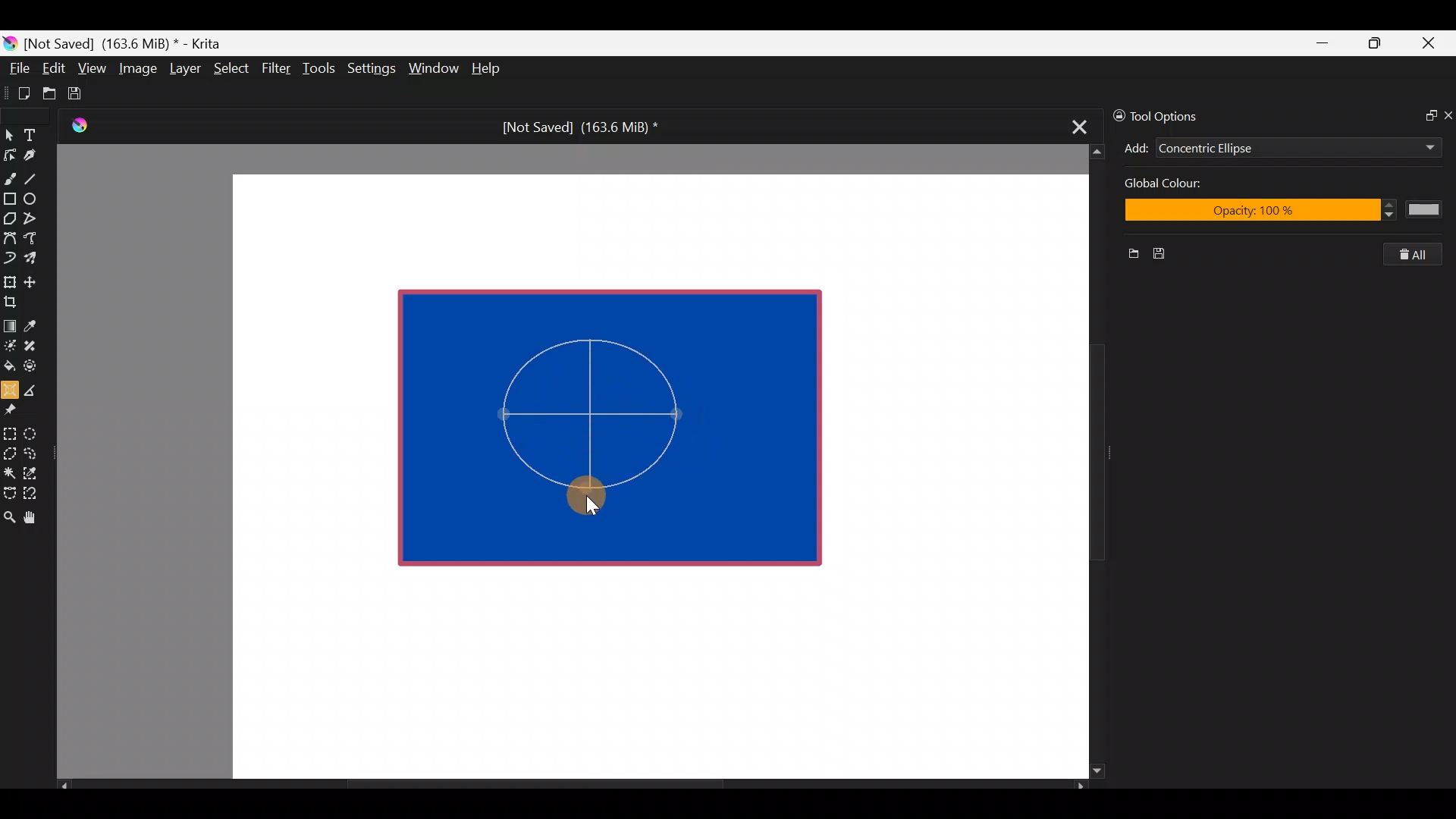 The width and height of the screenshot is (1456, 819). Describe the element at coordinates (581, 425) in the screenshot. I see `Concentric circle drawn on canvas` at that location.